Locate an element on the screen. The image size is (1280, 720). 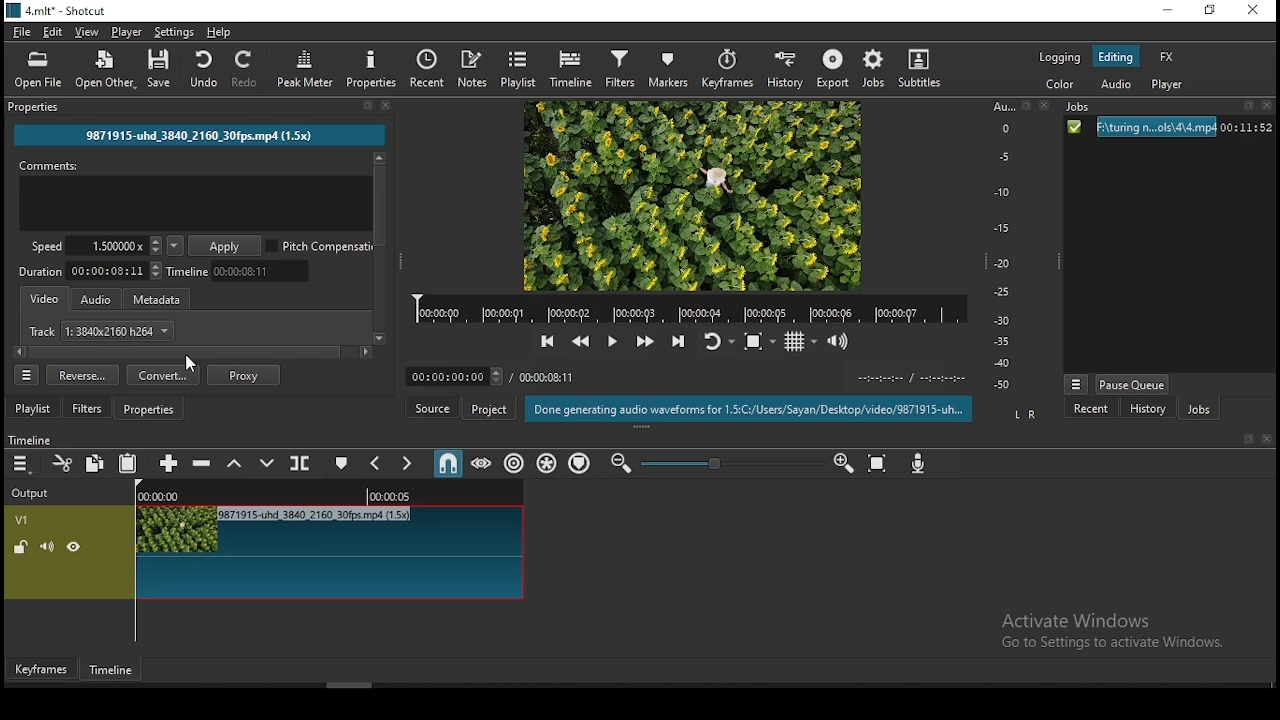
Left Right is located at coordinates (1023, 414).